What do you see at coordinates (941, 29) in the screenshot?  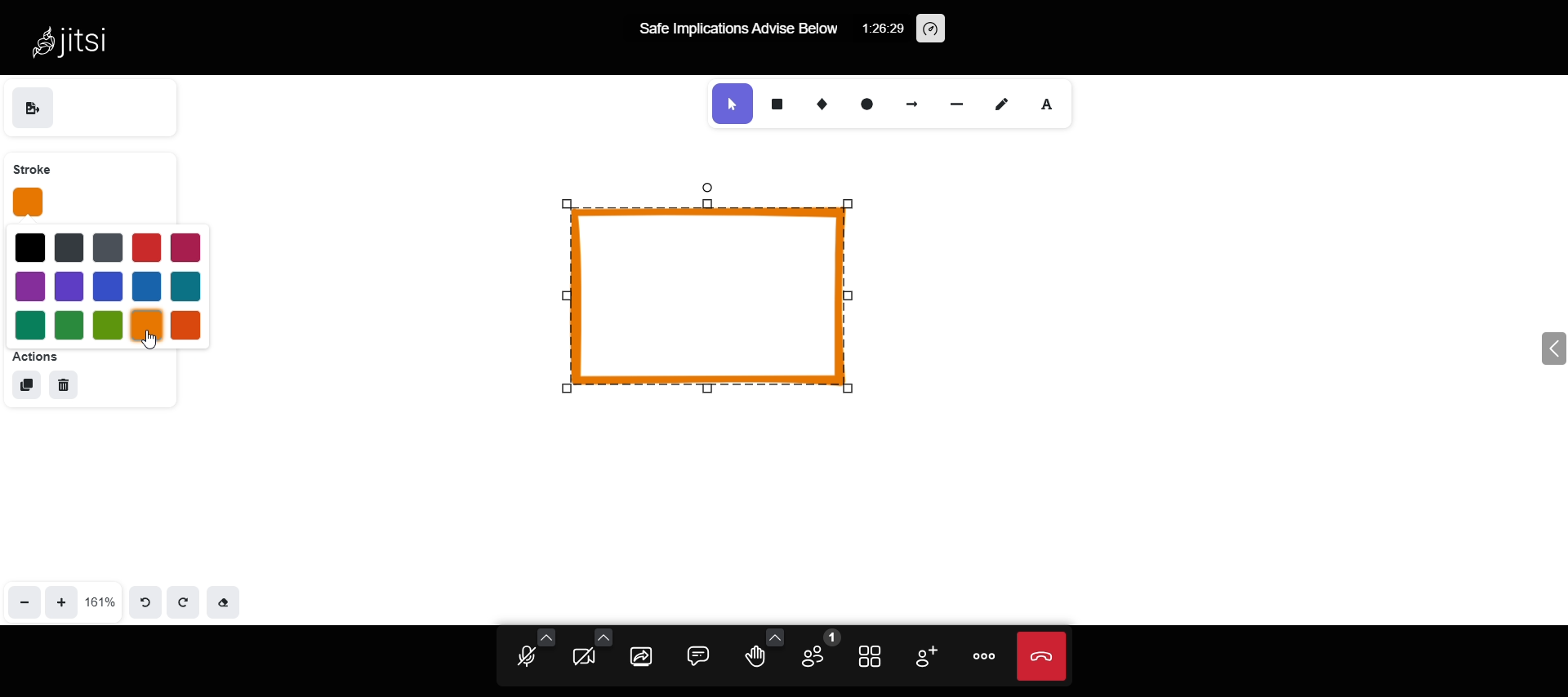 I see `performance setting` at bounding box center [941, 29].